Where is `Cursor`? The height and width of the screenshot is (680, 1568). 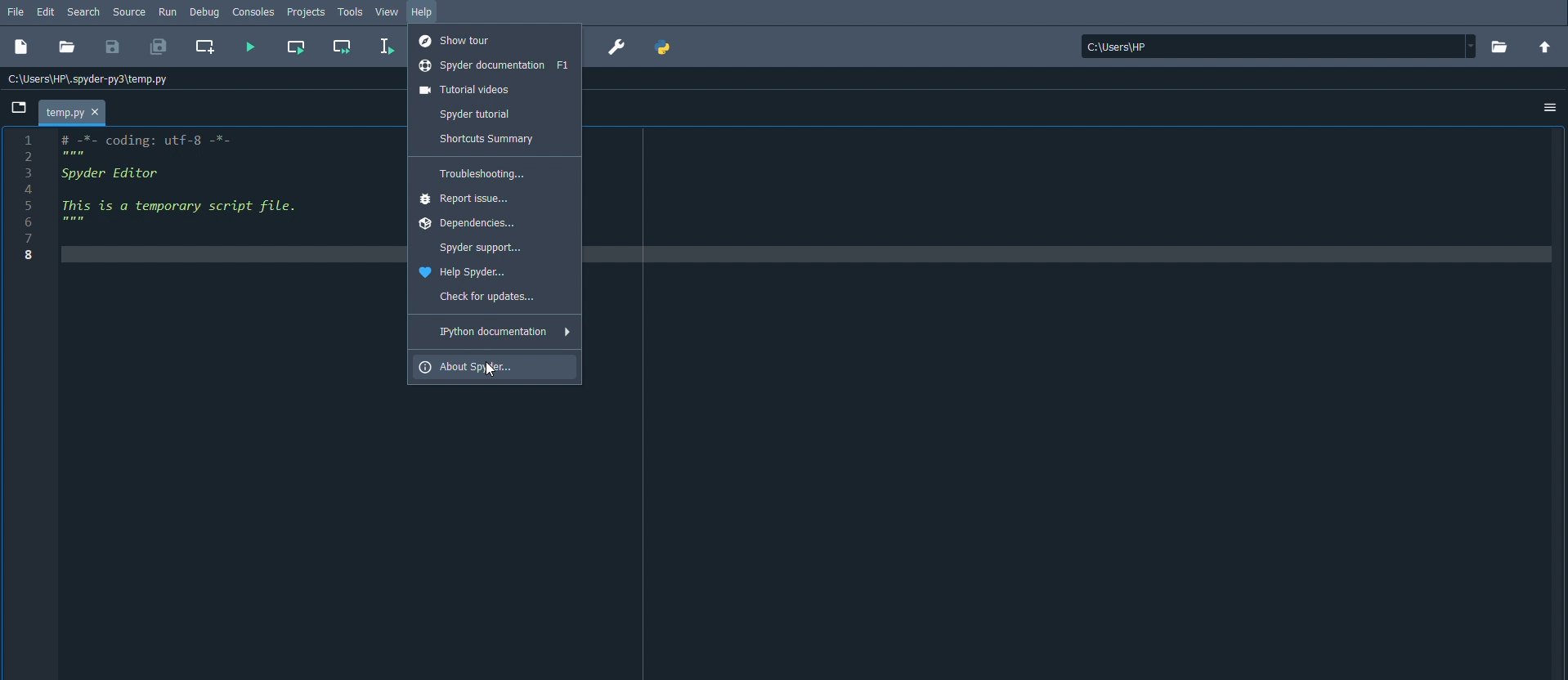
Cursor is located at coordinates (491, 370).